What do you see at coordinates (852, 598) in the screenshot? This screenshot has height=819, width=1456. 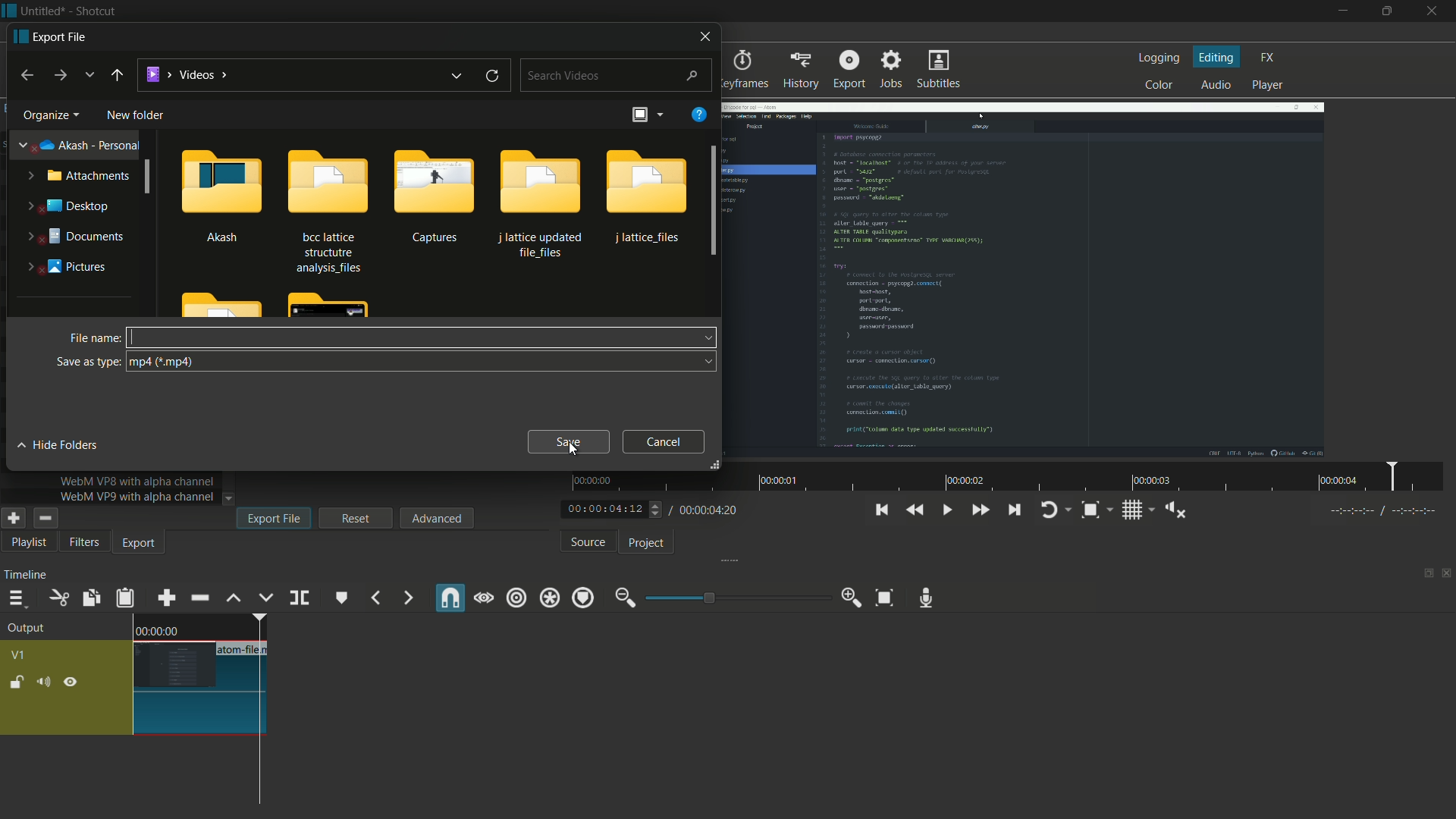 I see `zoom in` at bounding box center [852, 598].